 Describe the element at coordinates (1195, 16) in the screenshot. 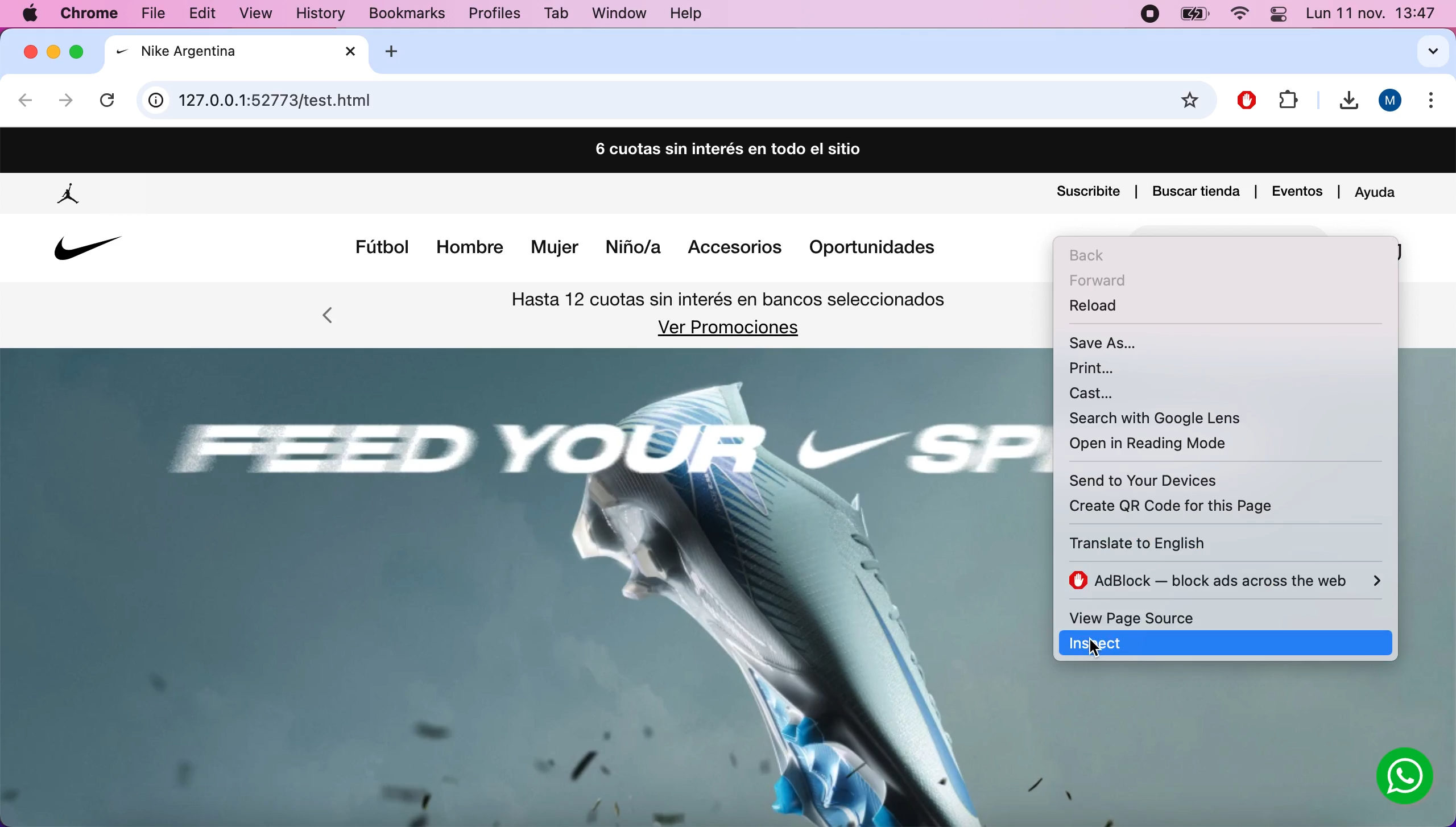

I see `battery` at that location.